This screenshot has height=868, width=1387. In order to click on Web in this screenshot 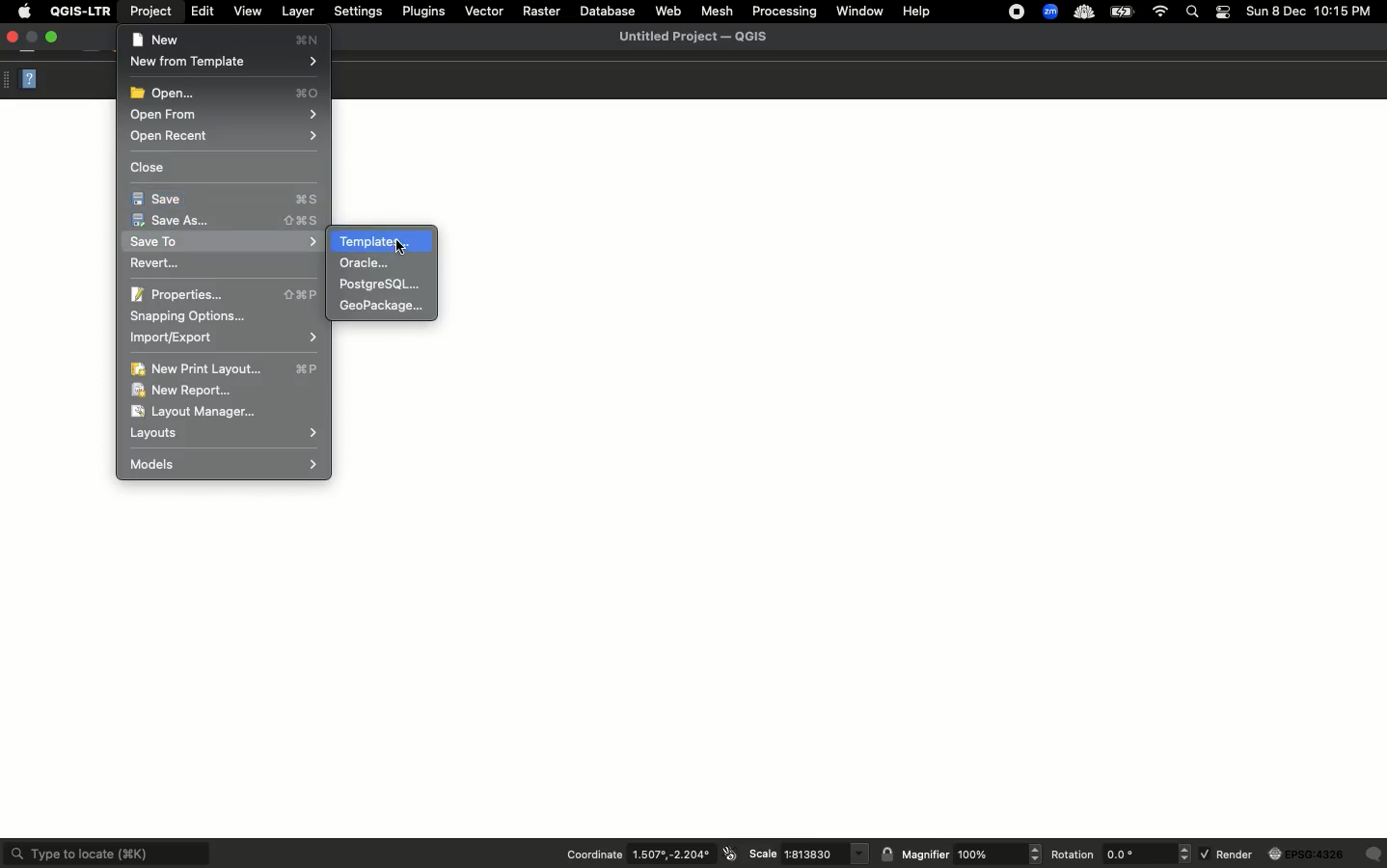, I will do `click(669, 10)`.